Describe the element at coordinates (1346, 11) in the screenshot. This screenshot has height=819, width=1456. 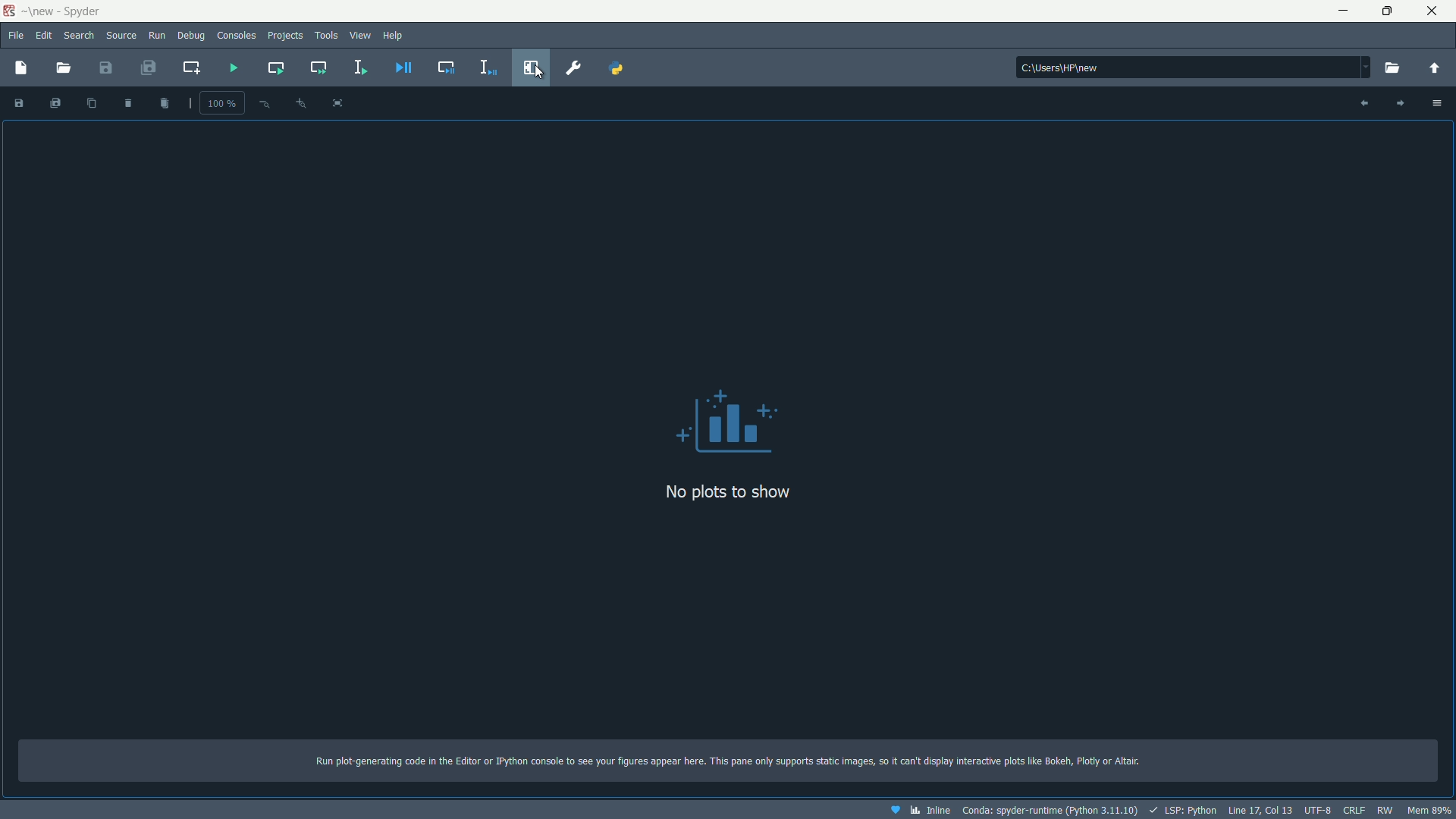
I see `minimize` at that location.